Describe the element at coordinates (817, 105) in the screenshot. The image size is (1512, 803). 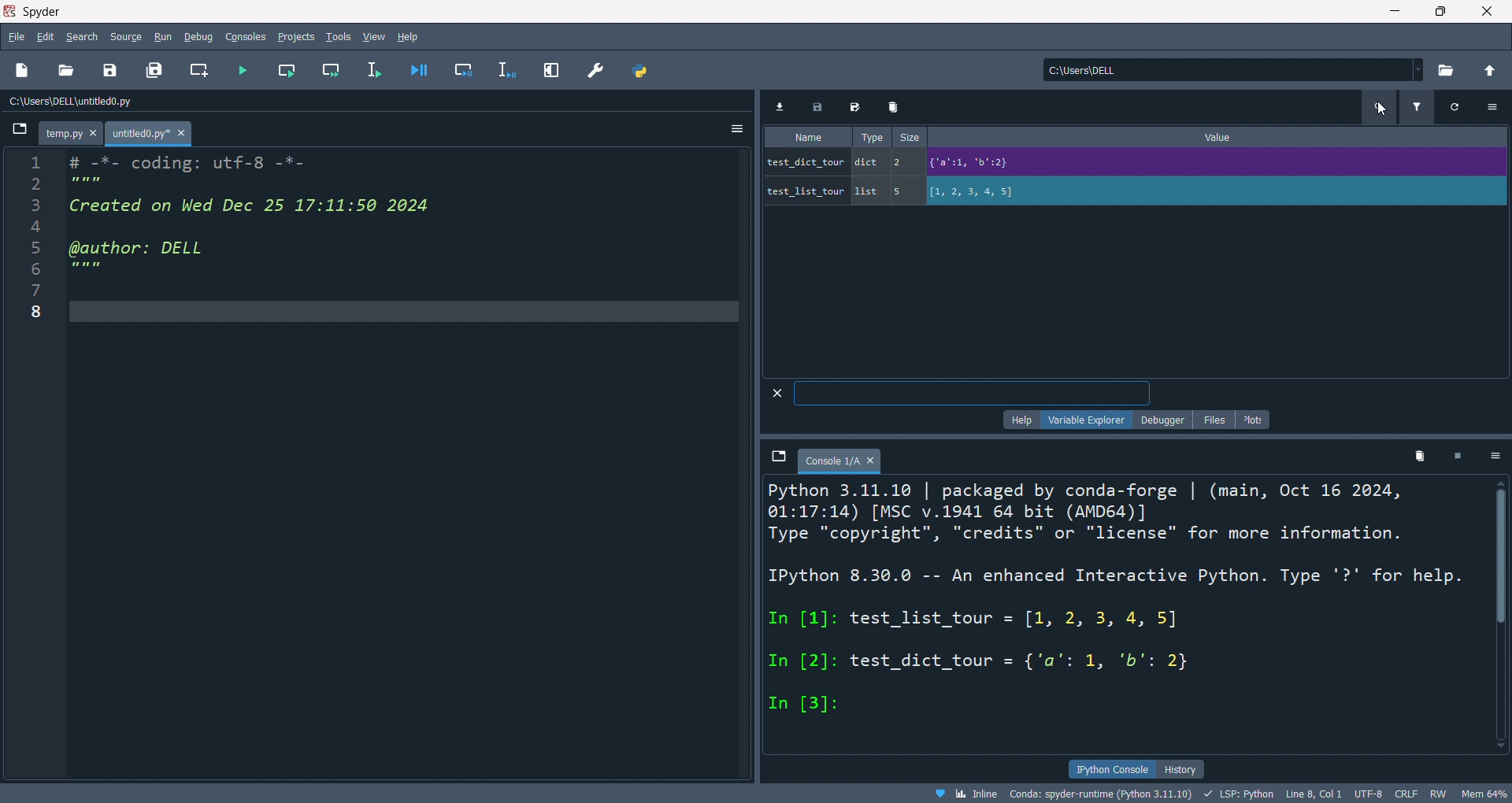
I see `save` at that location.